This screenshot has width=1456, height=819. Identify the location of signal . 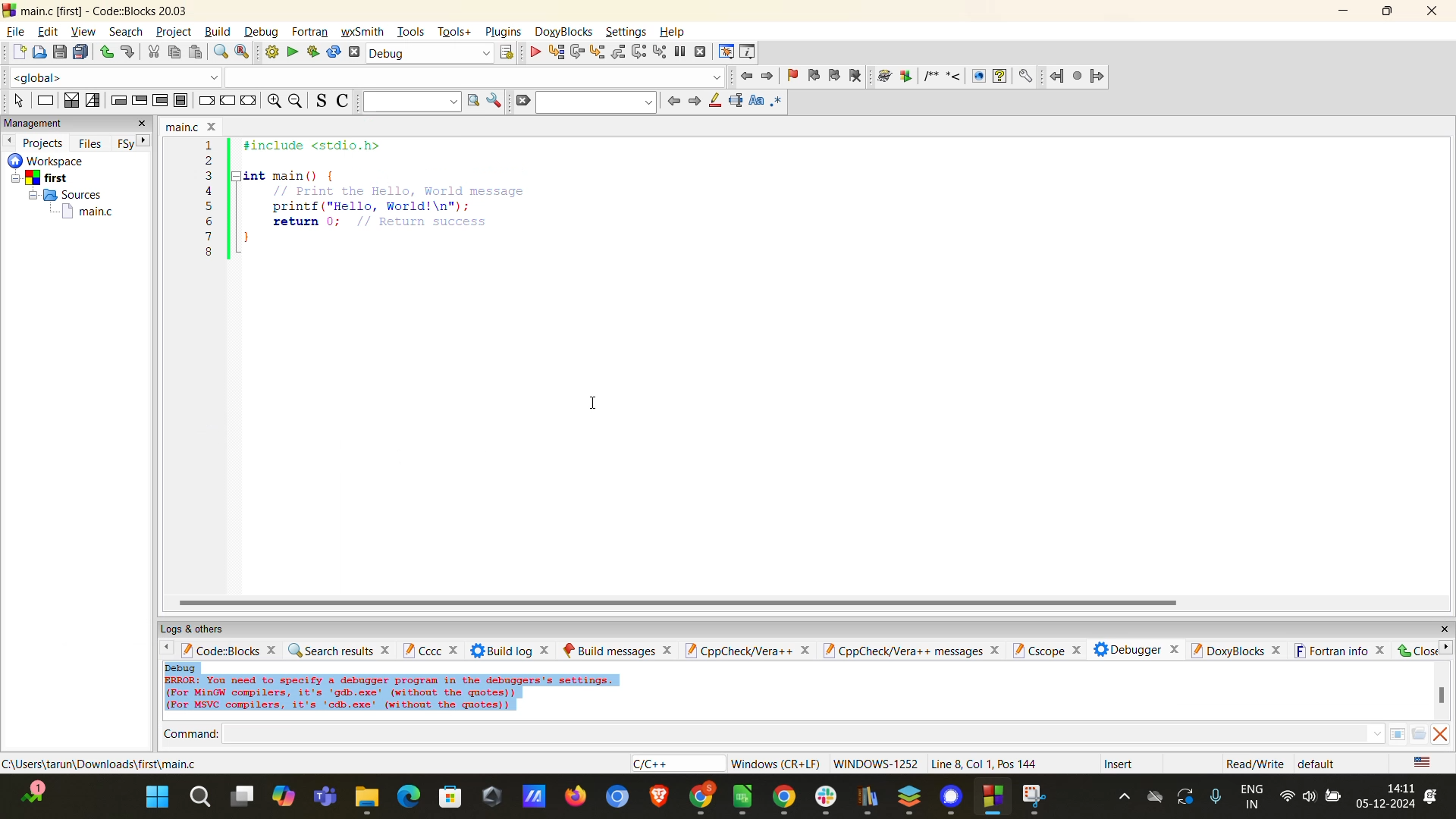
(955, 797).